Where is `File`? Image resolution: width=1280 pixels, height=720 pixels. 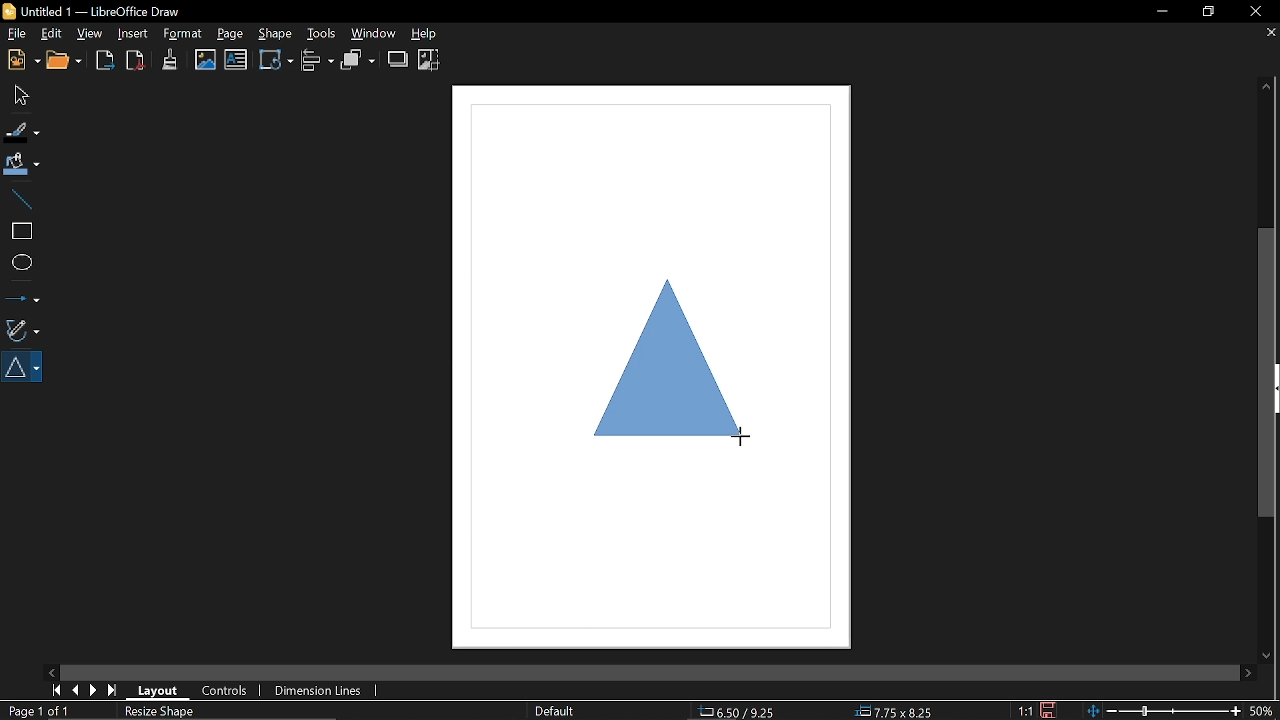
File is located at coordinates (16, 33).